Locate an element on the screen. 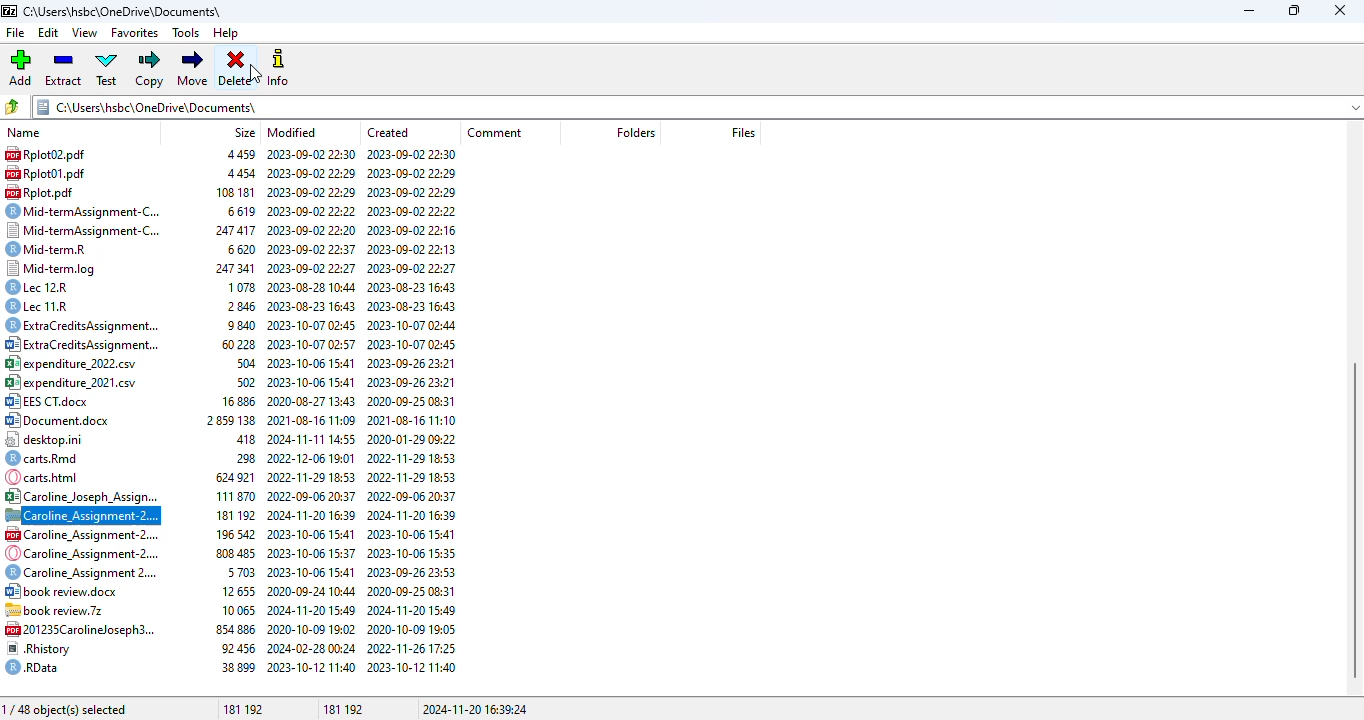 The height and width of the screenshot is (720, 1364). 2024-11-20 16:39 is located at coordinates (313, 514).